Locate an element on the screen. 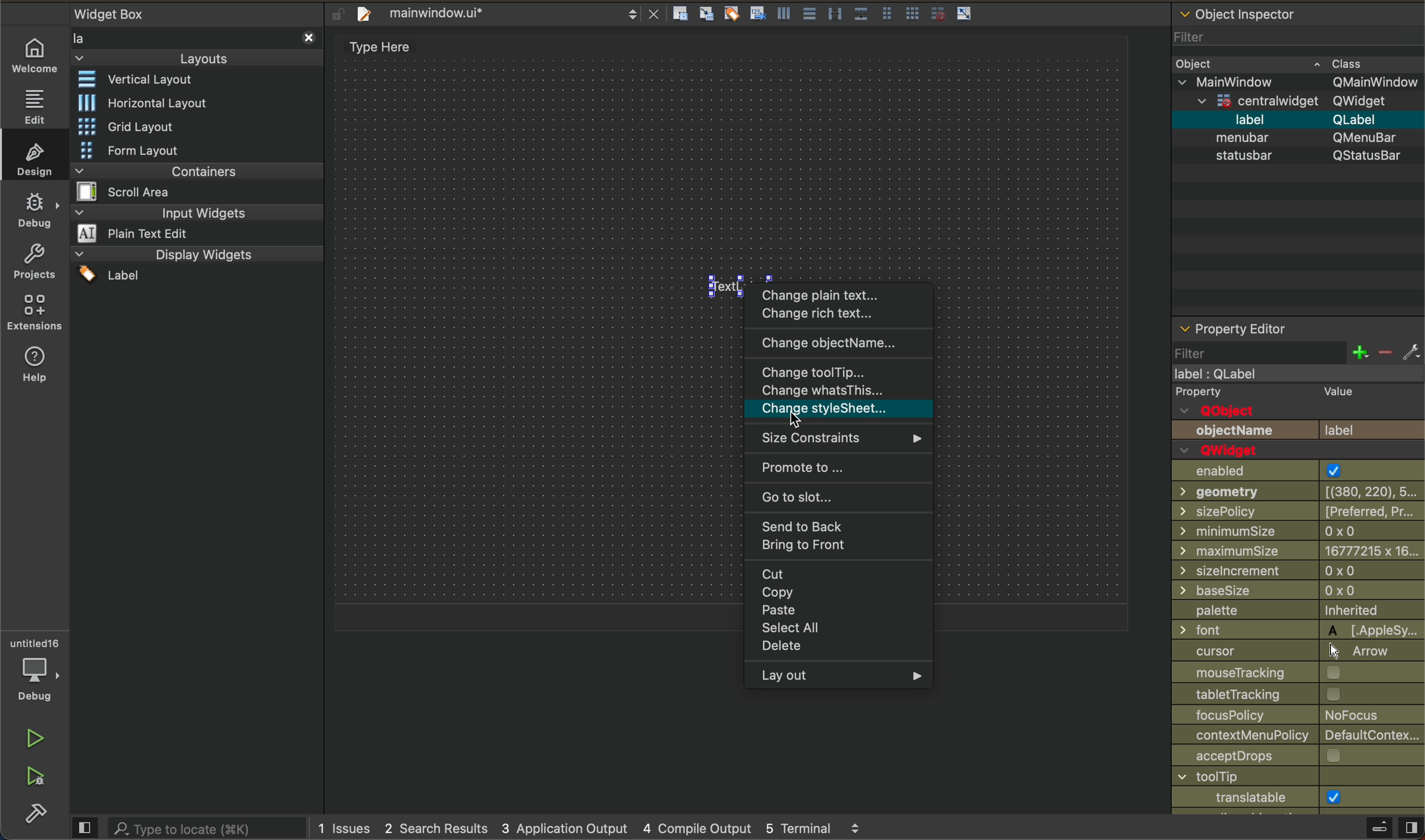  enabled is located at coordinates (1296, 463).